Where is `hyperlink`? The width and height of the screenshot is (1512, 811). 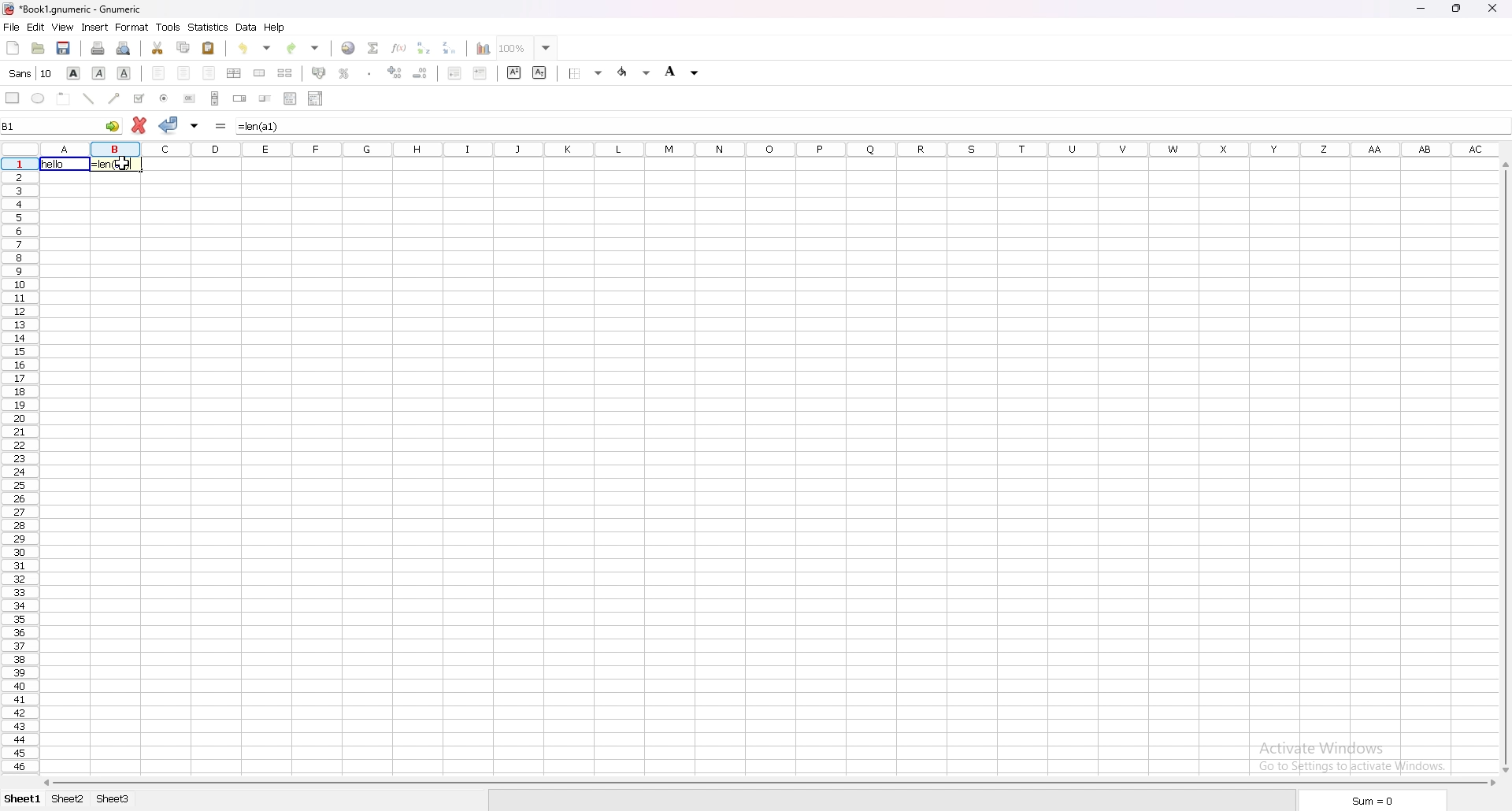
hyperlink is located at coordinates (349, 47).